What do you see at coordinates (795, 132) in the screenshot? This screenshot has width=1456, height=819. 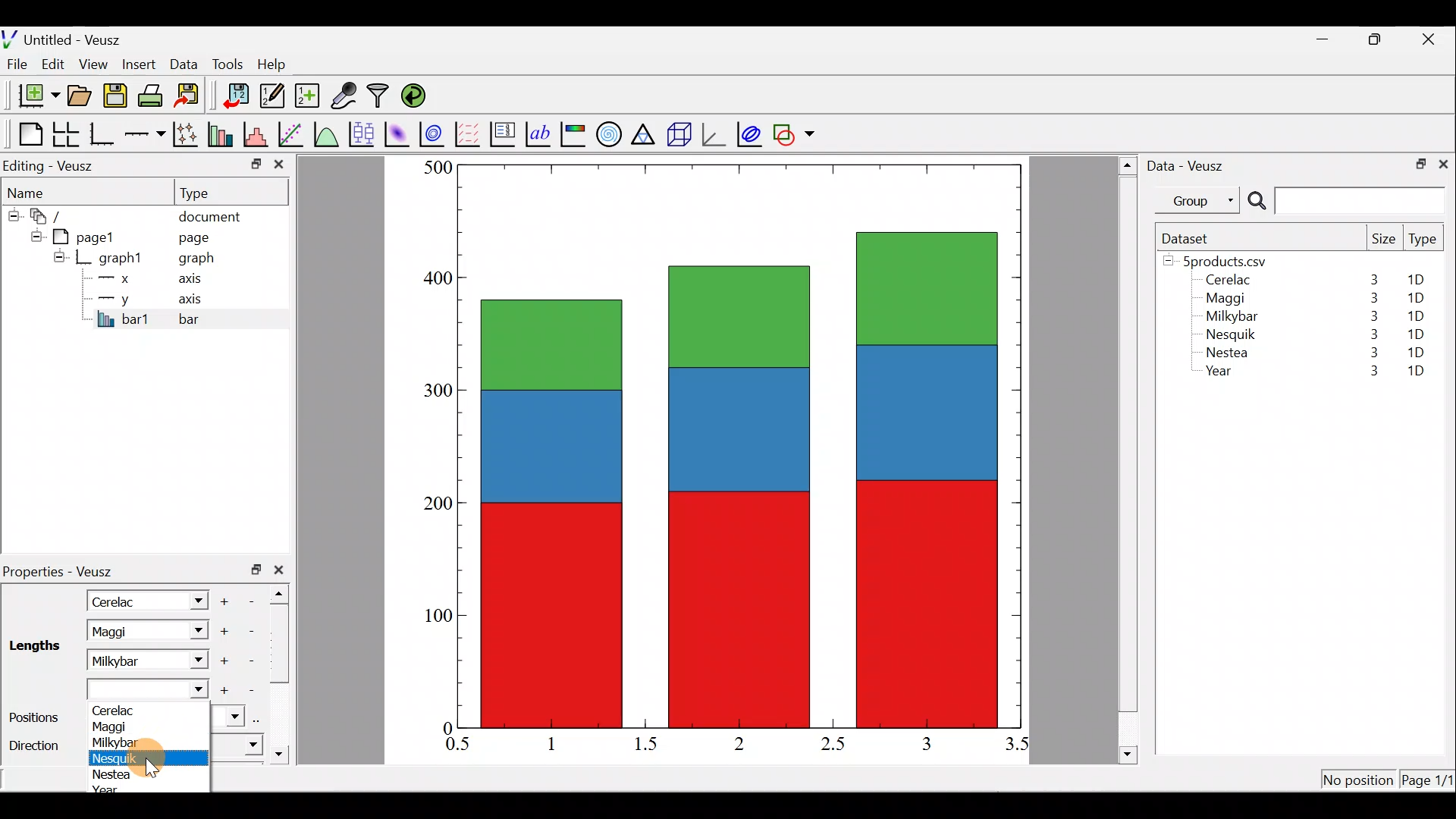 I see `Add a shape to the plot.` at bounding box center [795, 132].